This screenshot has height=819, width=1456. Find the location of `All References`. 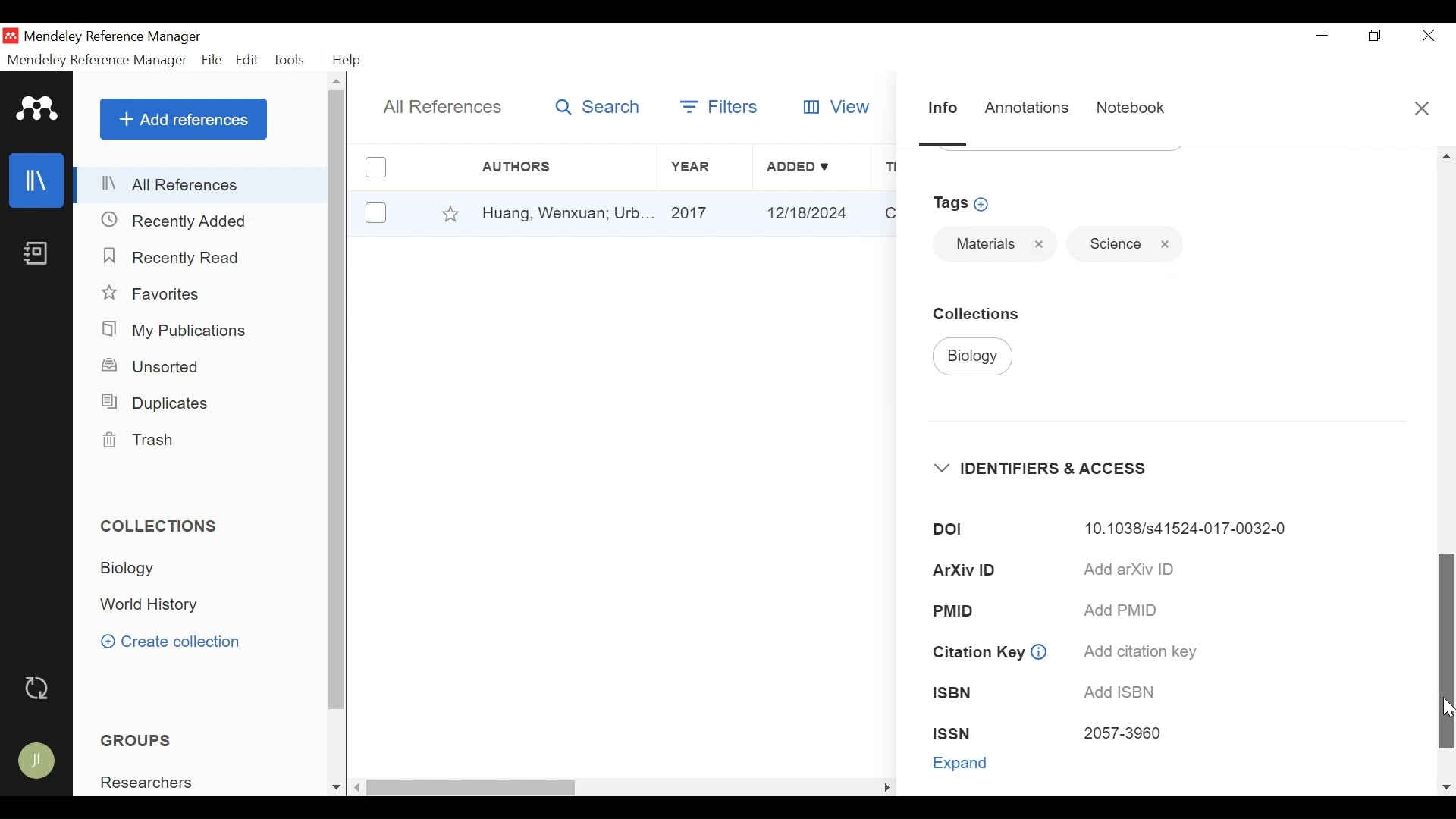

All References is located at coordinates (444, 108).